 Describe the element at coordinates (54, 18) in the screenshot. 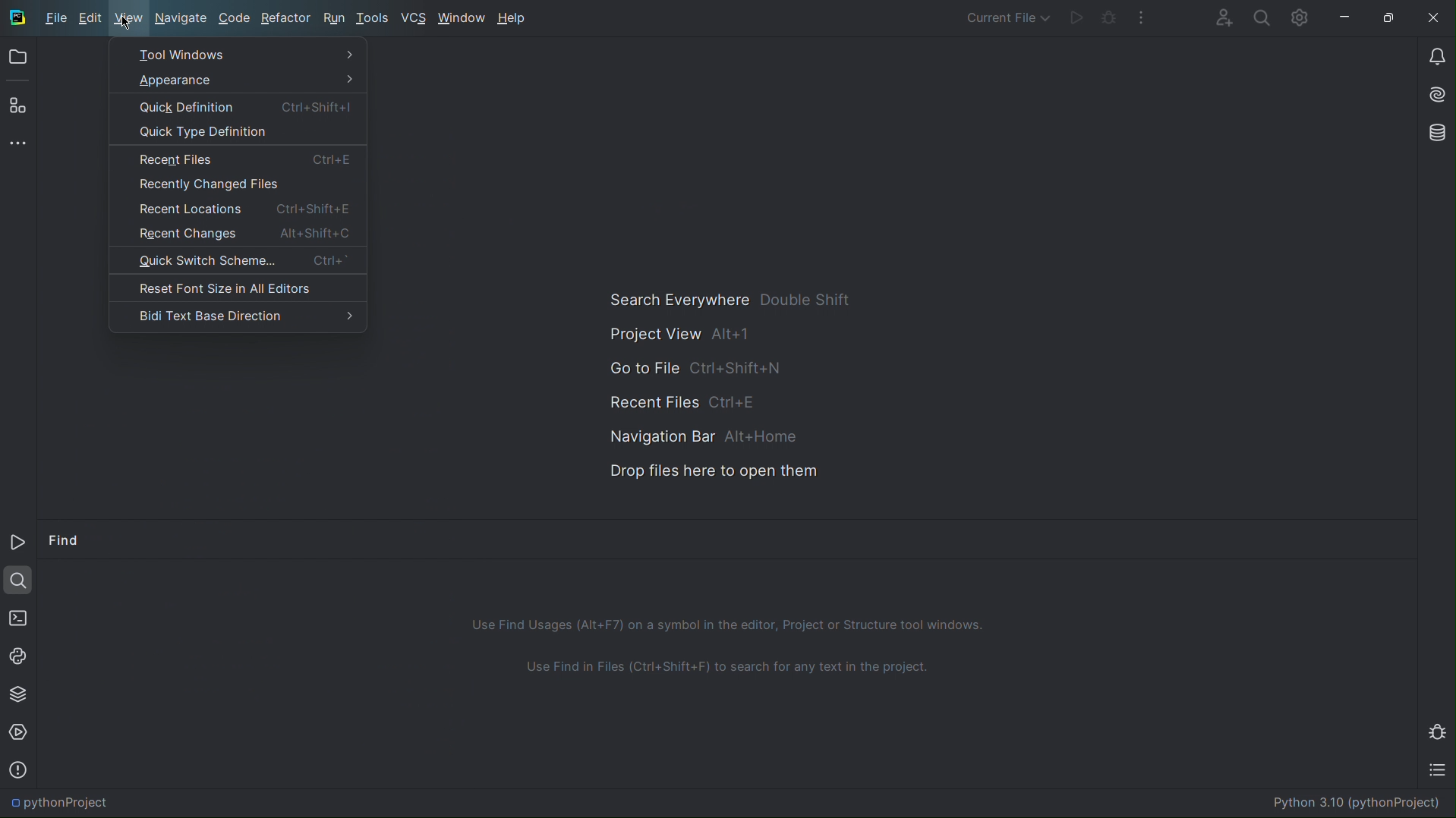

I see `File ` at that location.